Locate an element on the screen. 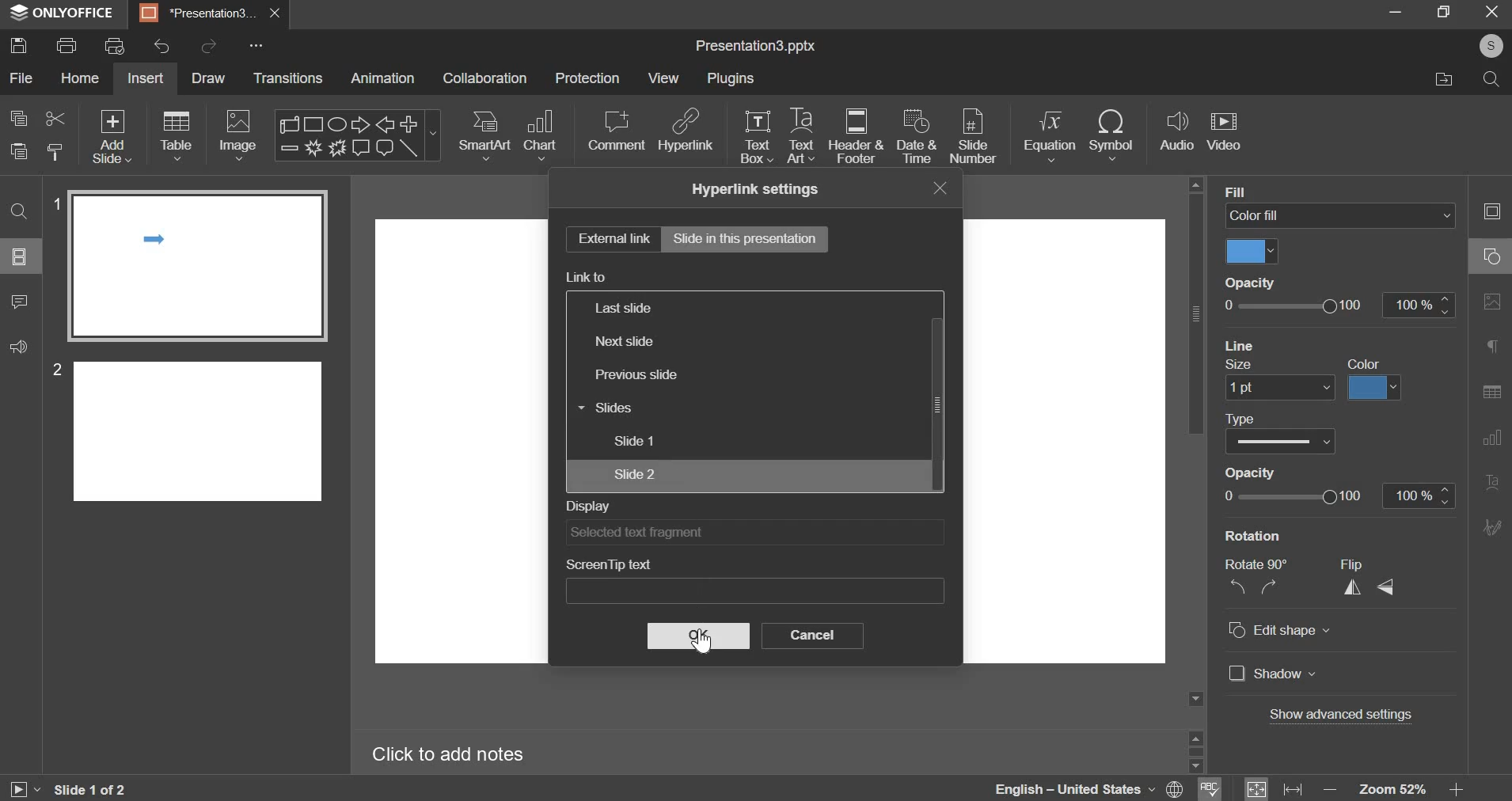  feedback is located at coordinates (19, 347).